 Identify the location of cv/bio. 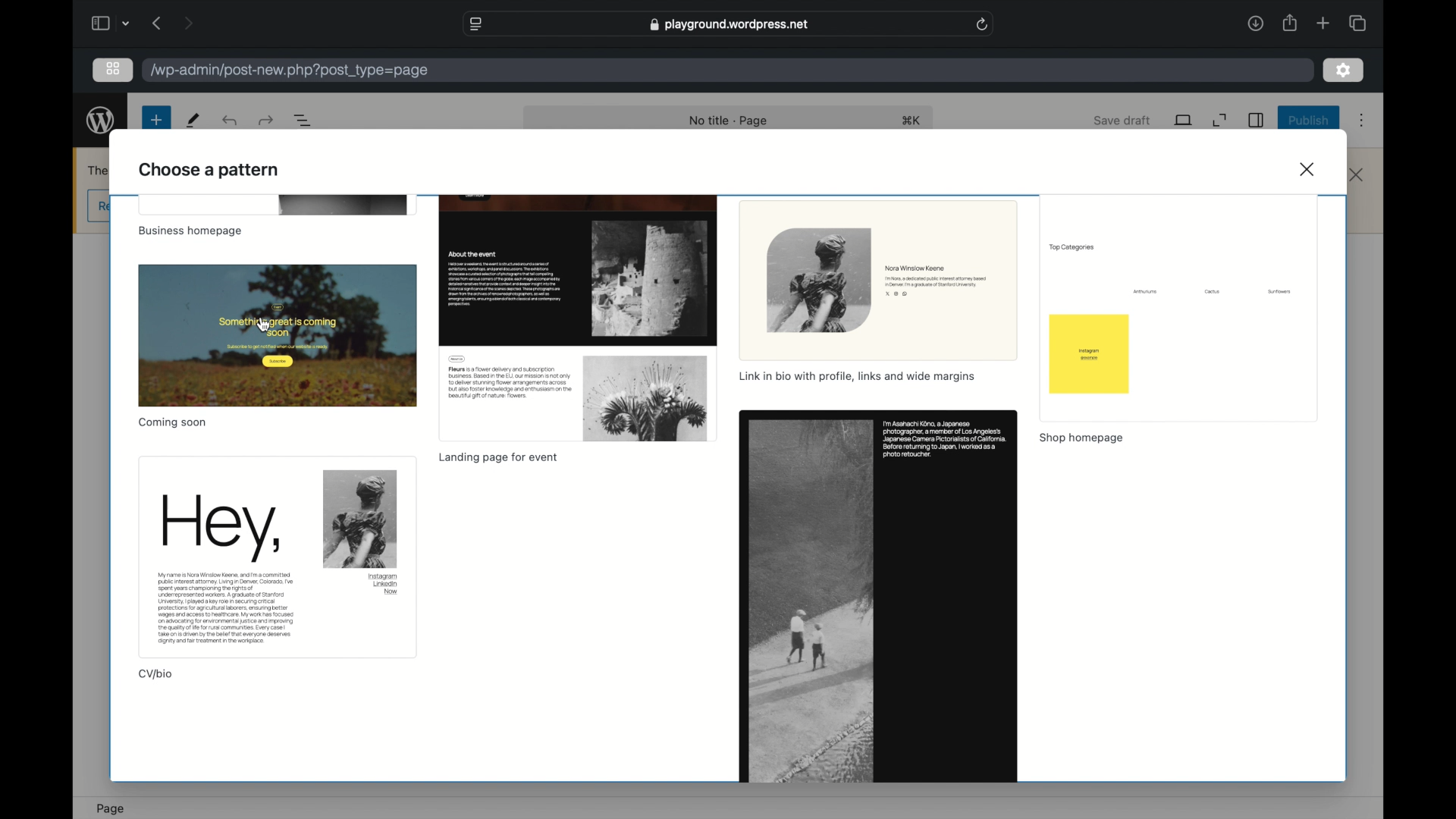
(156, 675).